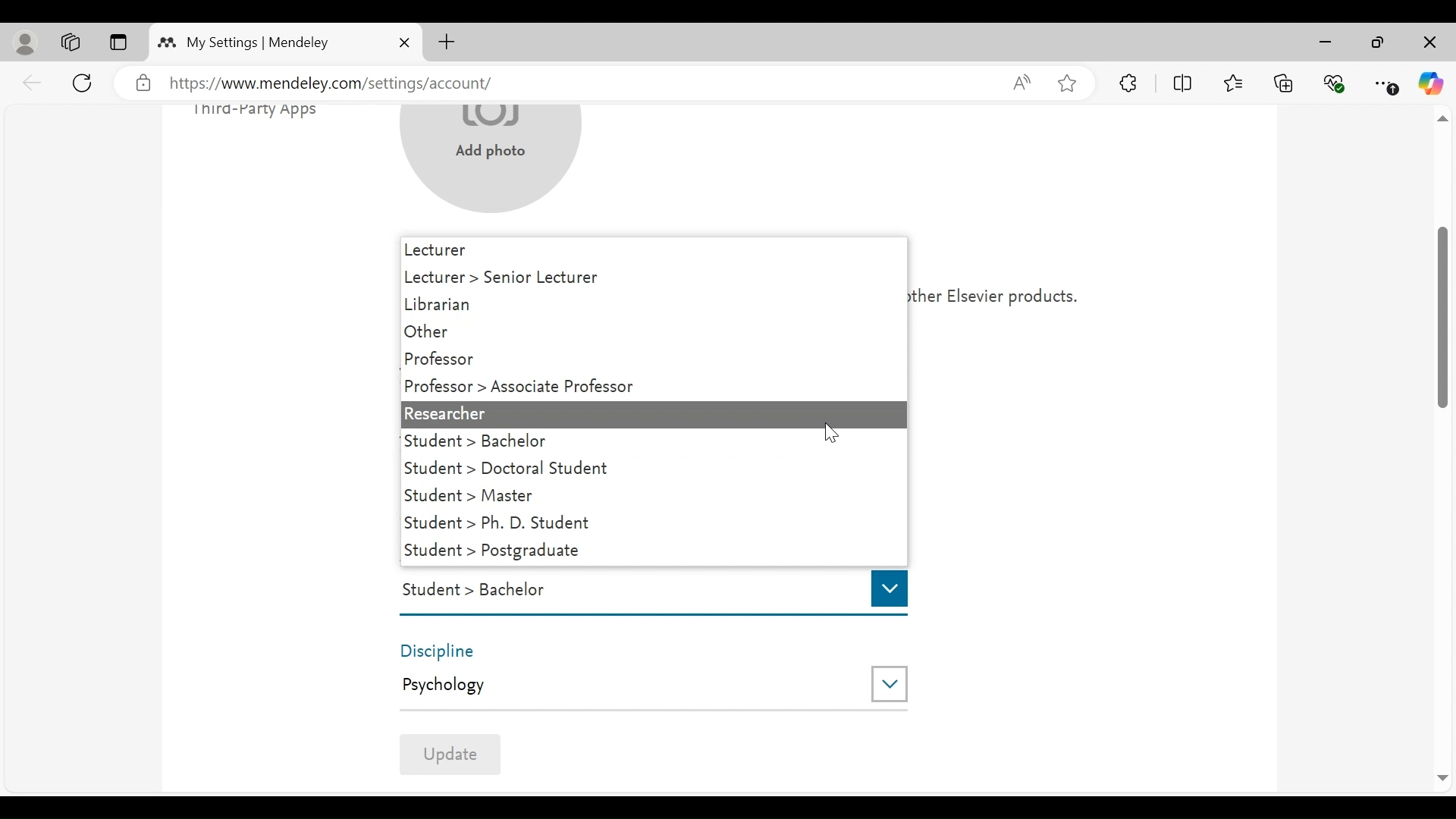 The width and height of the screenshot is (1456, 819). What do you see at coordinates (491, 158) in the screenshot?
I see `Add photo` at bounding box center [491, 158].